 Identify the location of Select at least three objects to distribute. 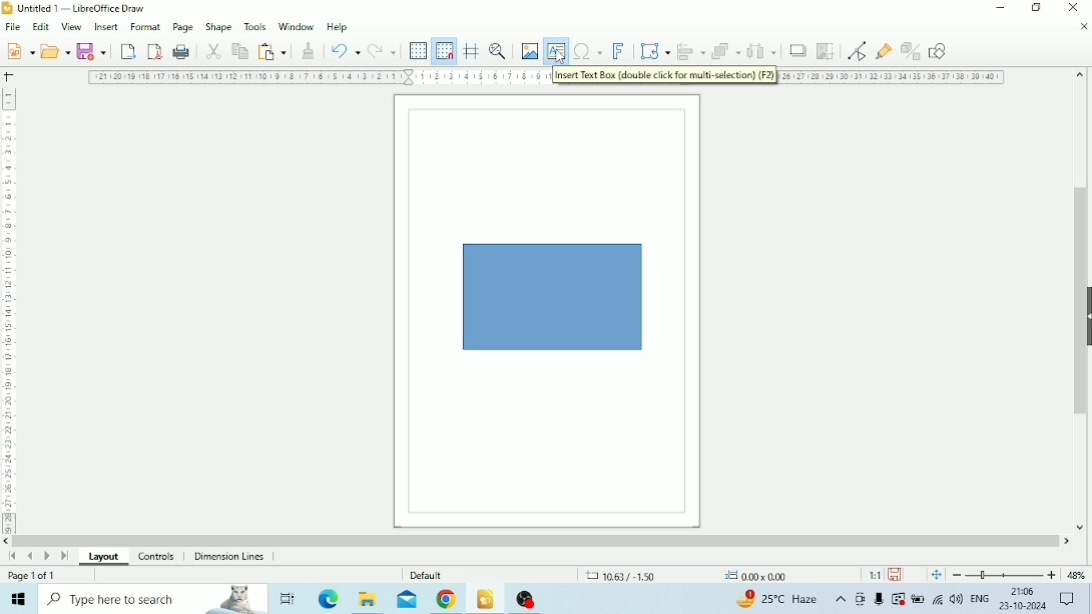
(762, 50).